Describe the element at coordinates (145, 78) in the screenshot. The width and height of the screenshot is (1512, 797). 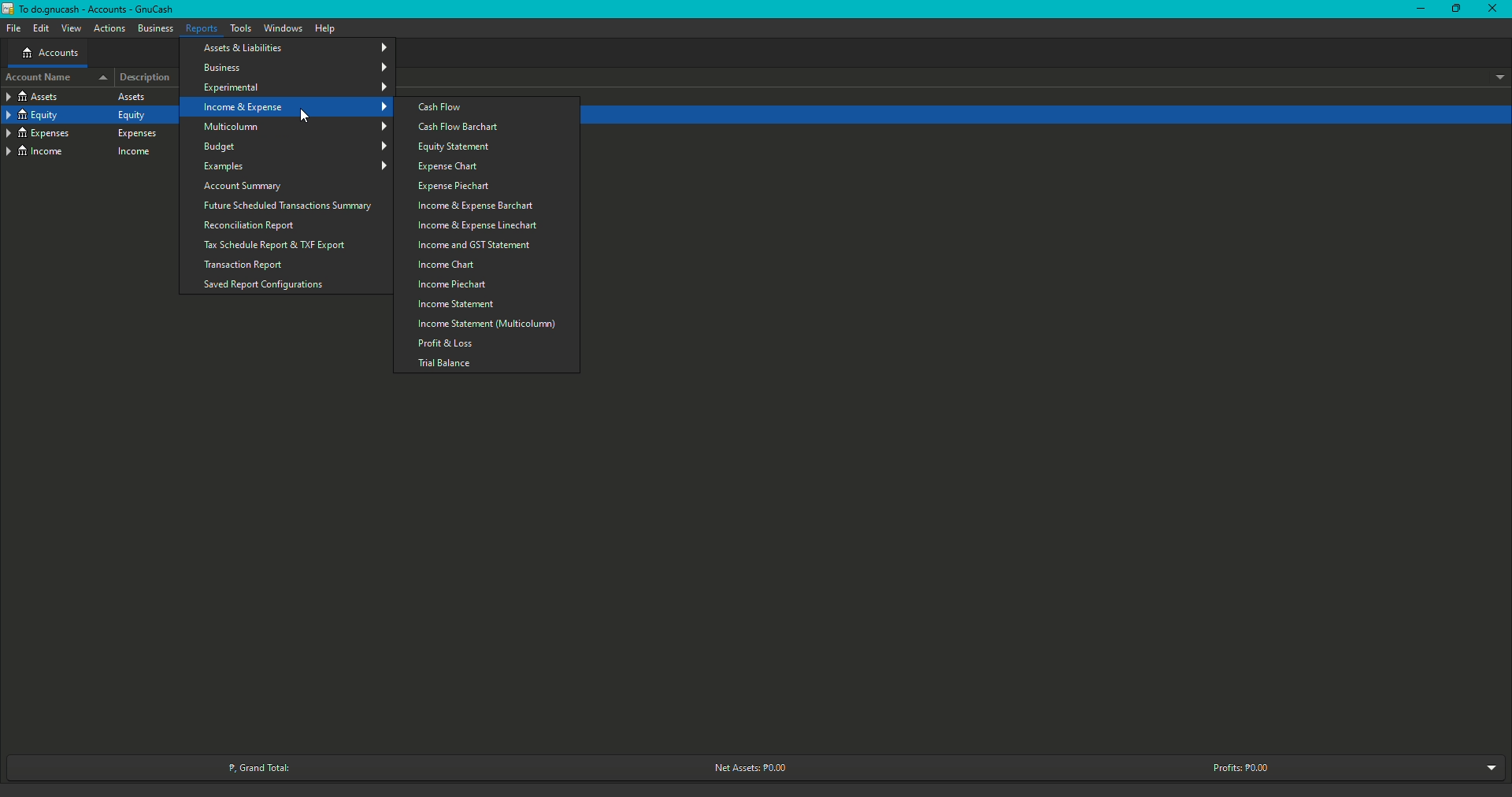
I see `Description` at that location.